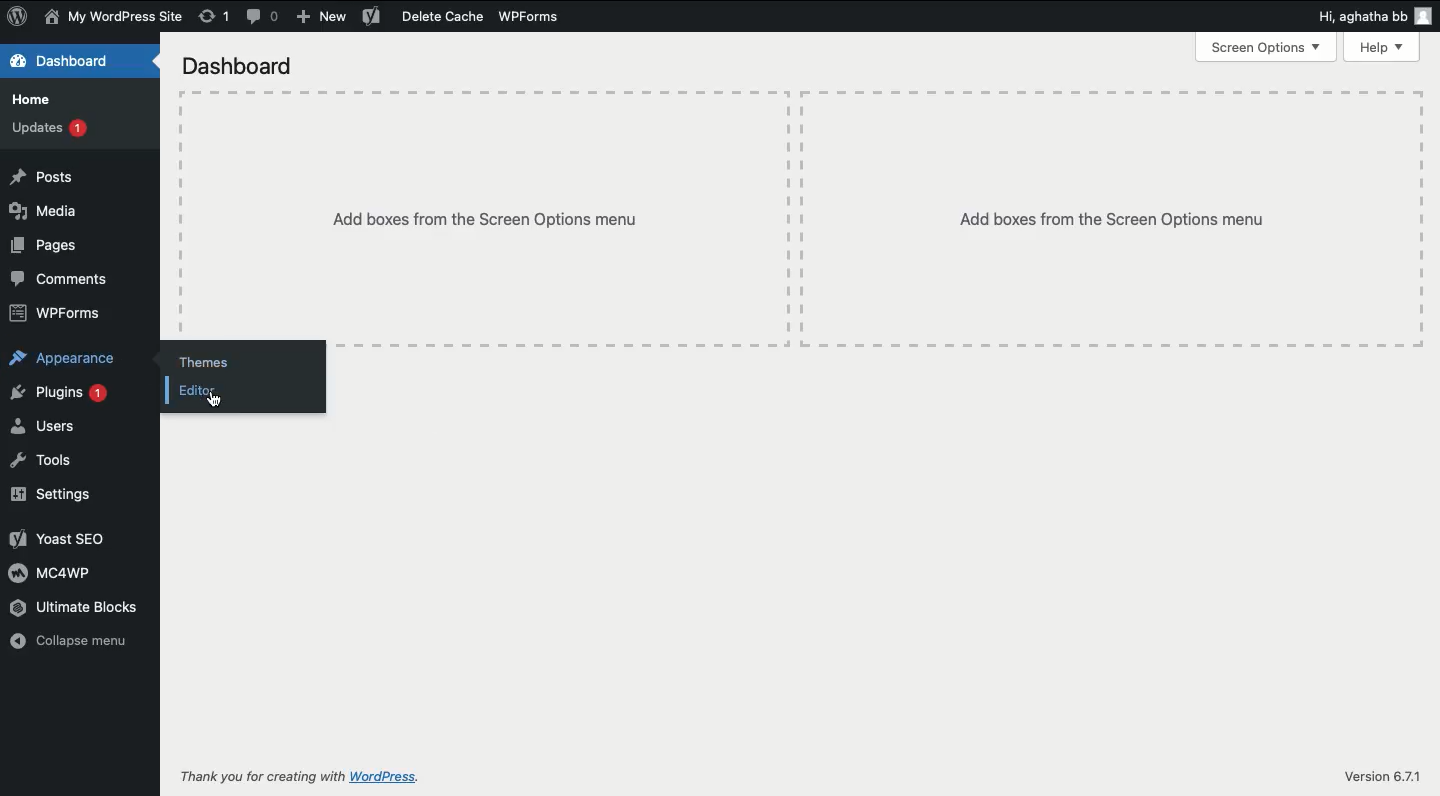  Describe the element at coordinates (222, 407) in the screenshot. I see `cursor` at that location.